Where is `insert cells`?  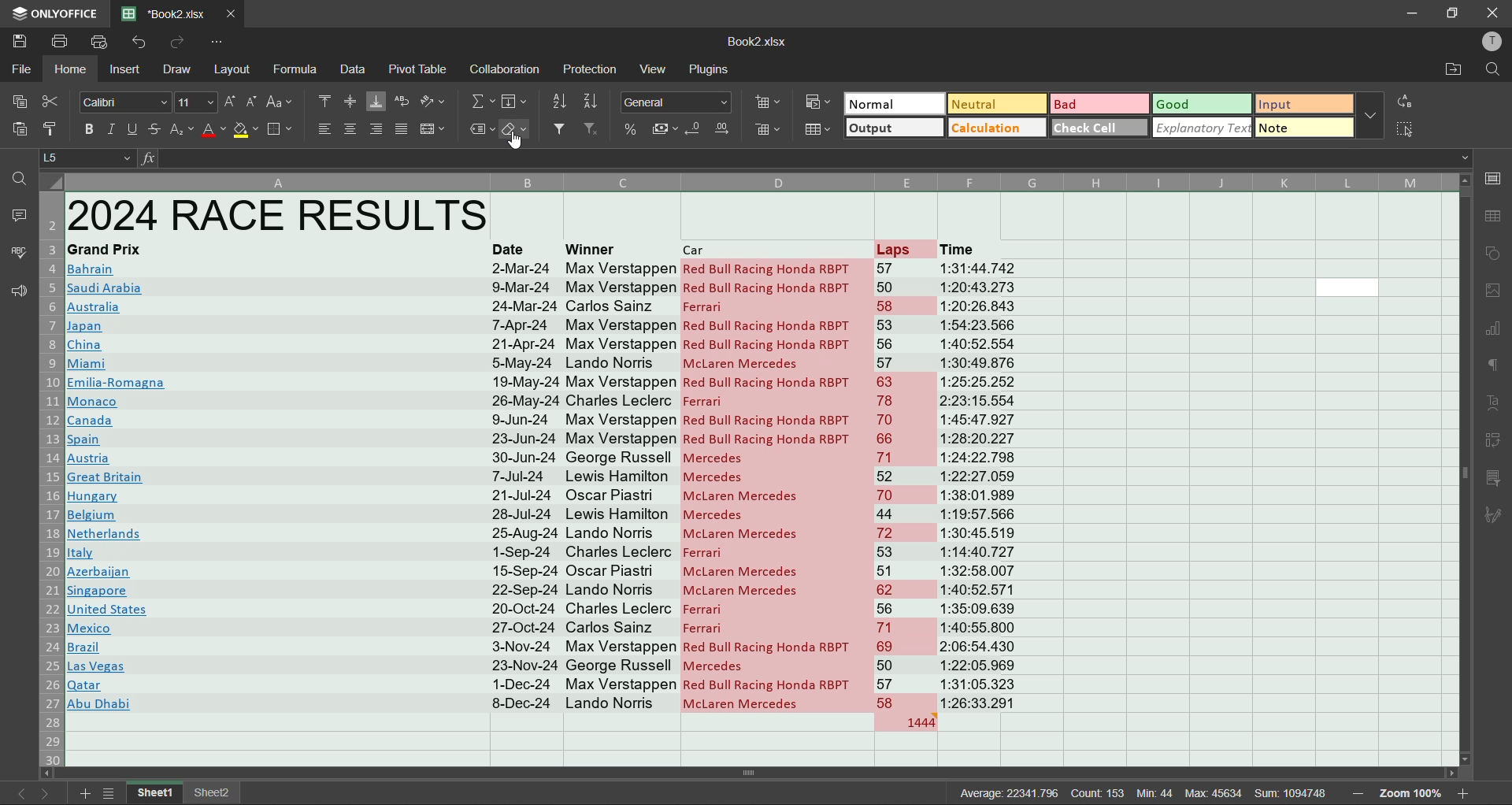 insert cells is located at coordinates (770, 102).